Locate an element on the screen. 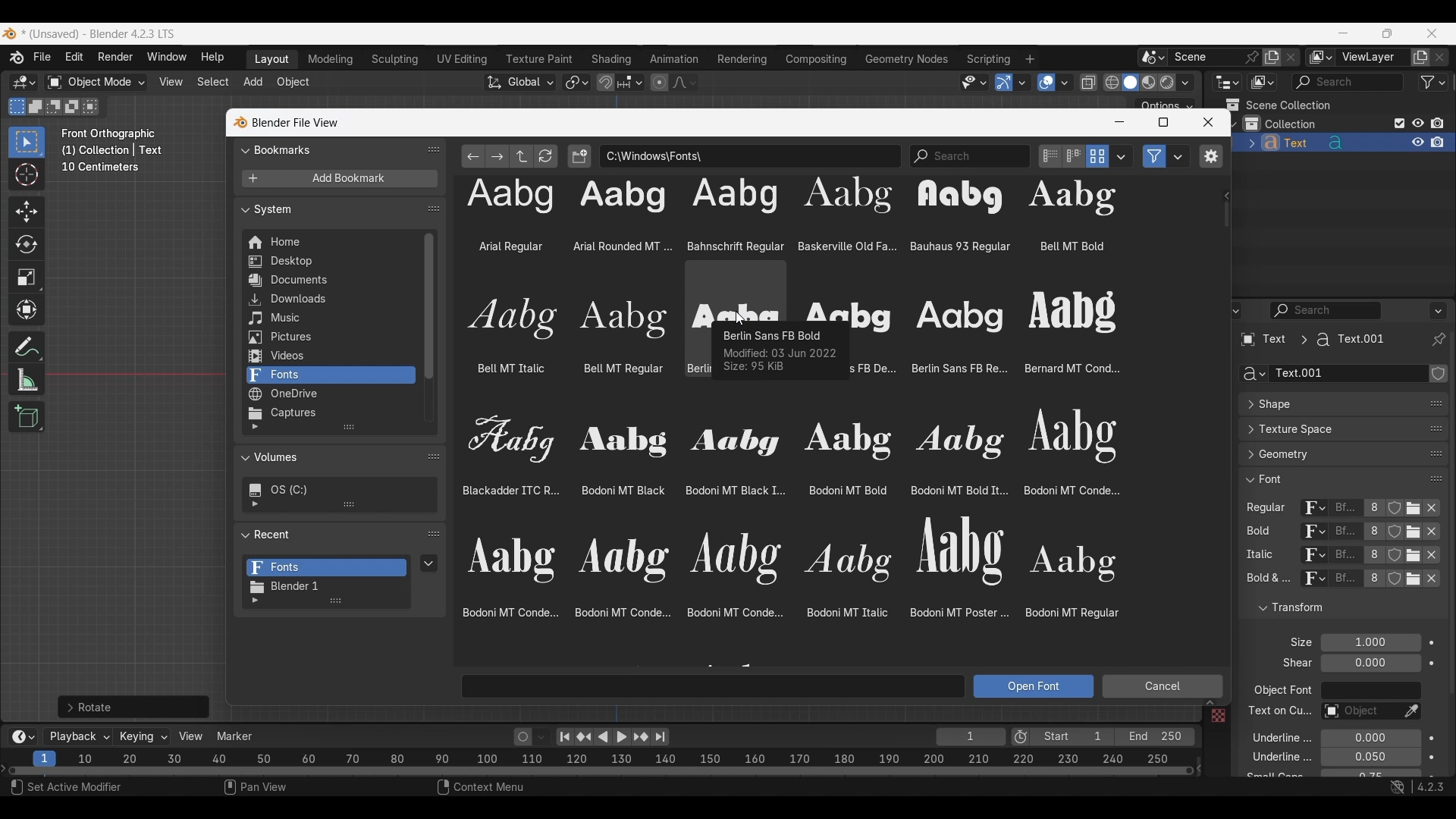  Change position in the list  is located at coordinates (1436, 475).